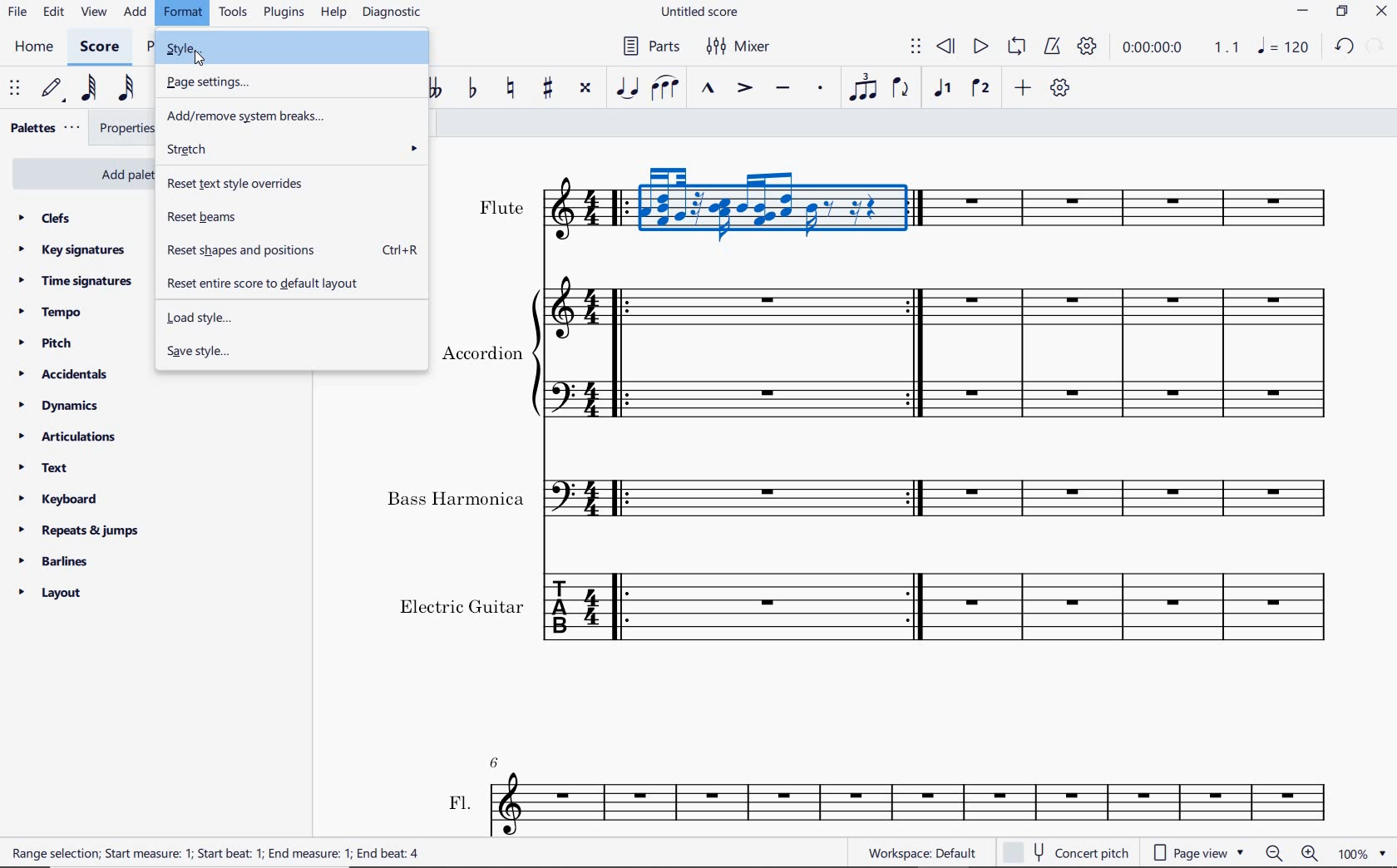 This screenshot has width=1397, height=868. Describe the element at coordinates (1362, 852) in the screenshot. I see `ZOOM FACTOR` at that location.